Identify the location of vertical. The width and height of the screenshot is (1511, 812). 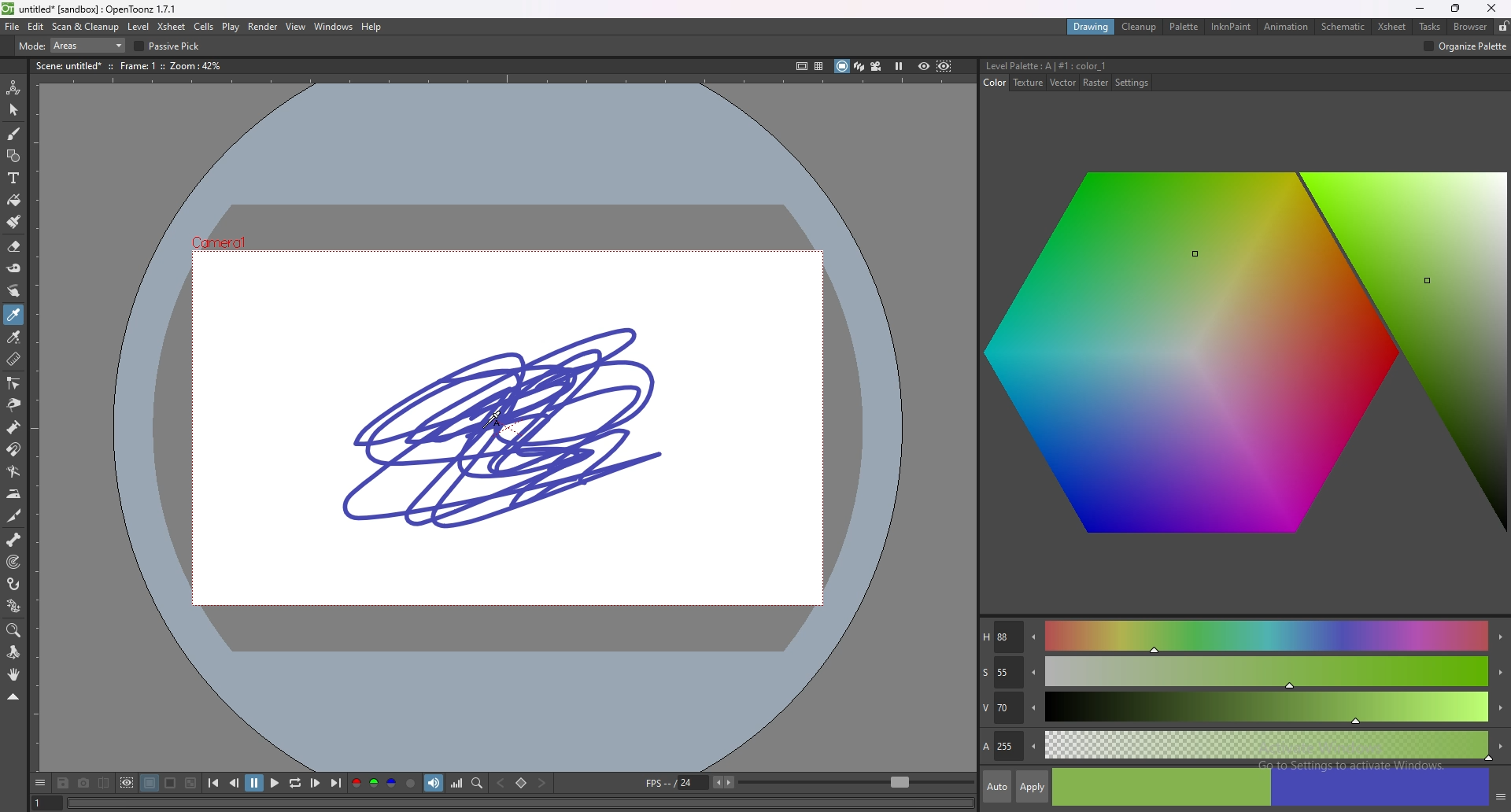
(664, 46).